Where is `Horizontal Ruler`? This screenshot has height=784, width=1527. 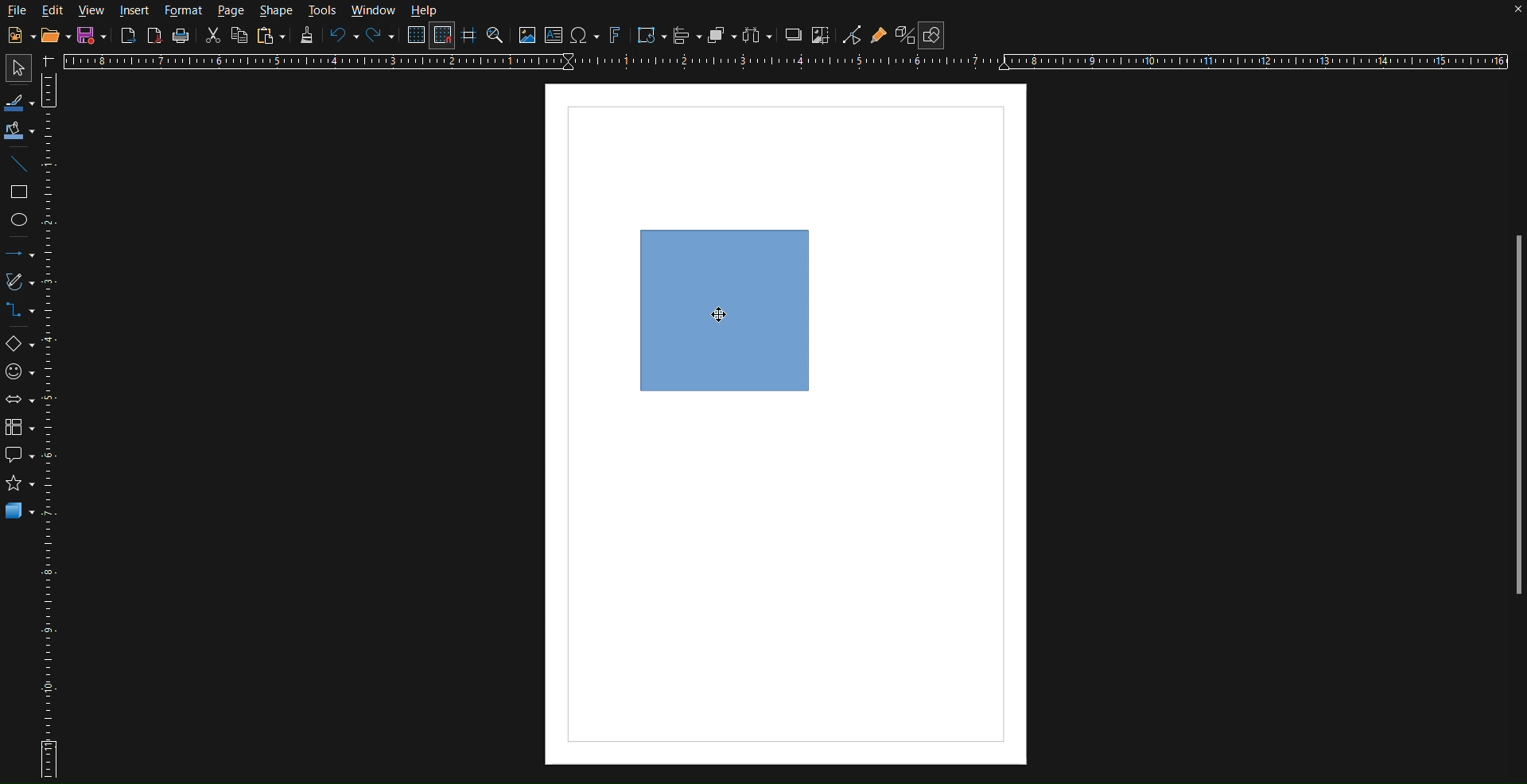
Horizontal Ruler is located at coordinates (793, 63).